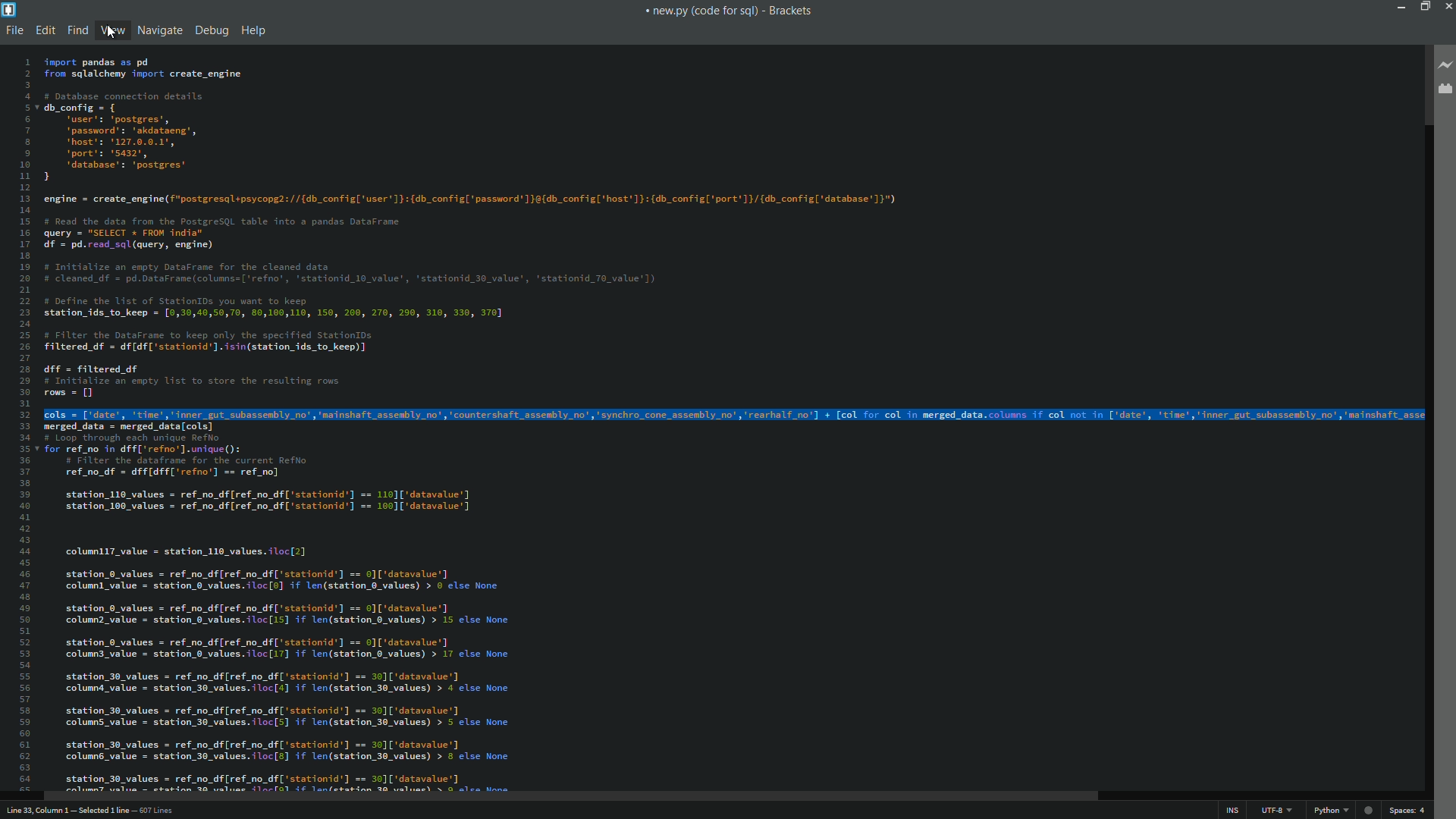  Describe the element at coordinates (1422, 6) in the screenshot. I see `maximize` at that location.